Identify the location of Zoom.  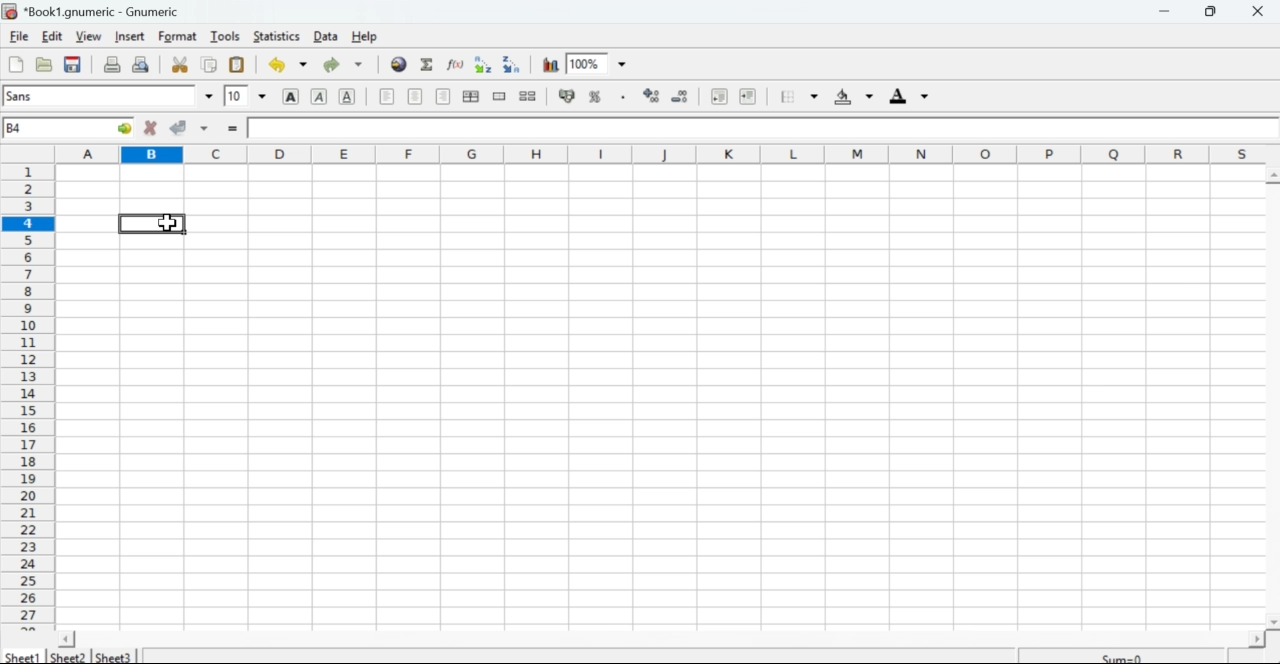
(601, 63).